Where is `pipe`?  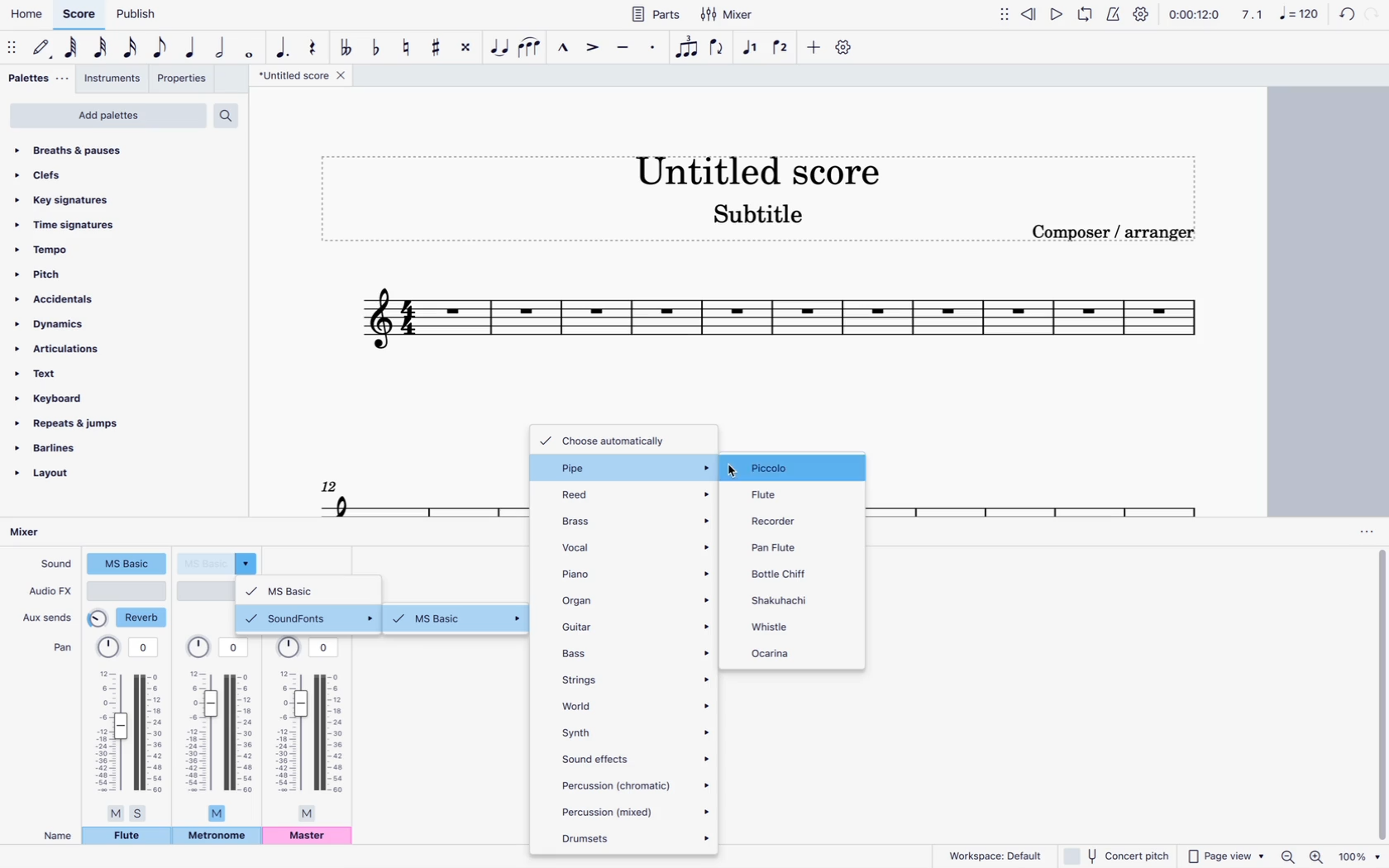
pipe is located at coordinates (632, 470).